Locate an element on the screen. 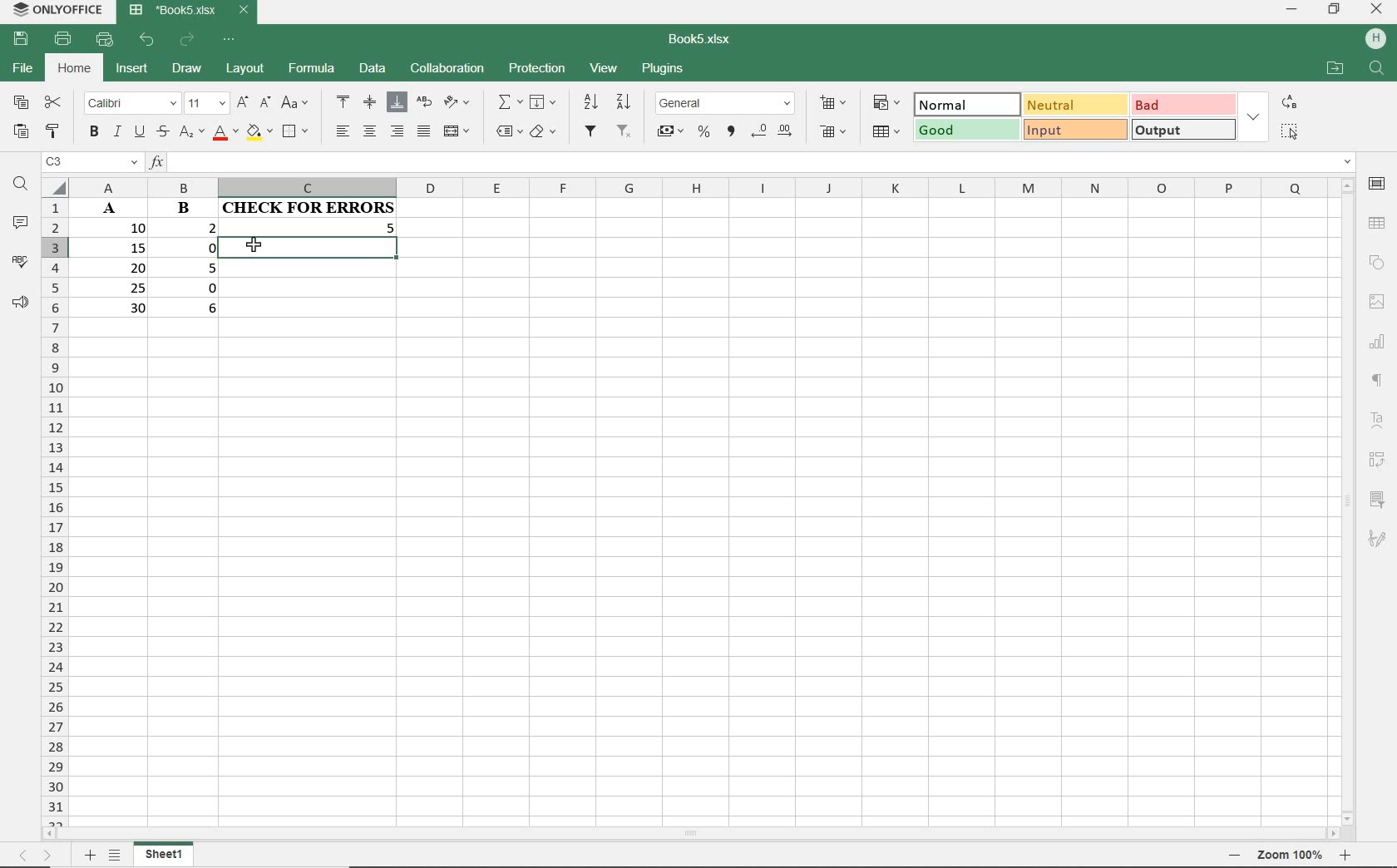  PERCENT STYLE is located at coordinates (705, 132).